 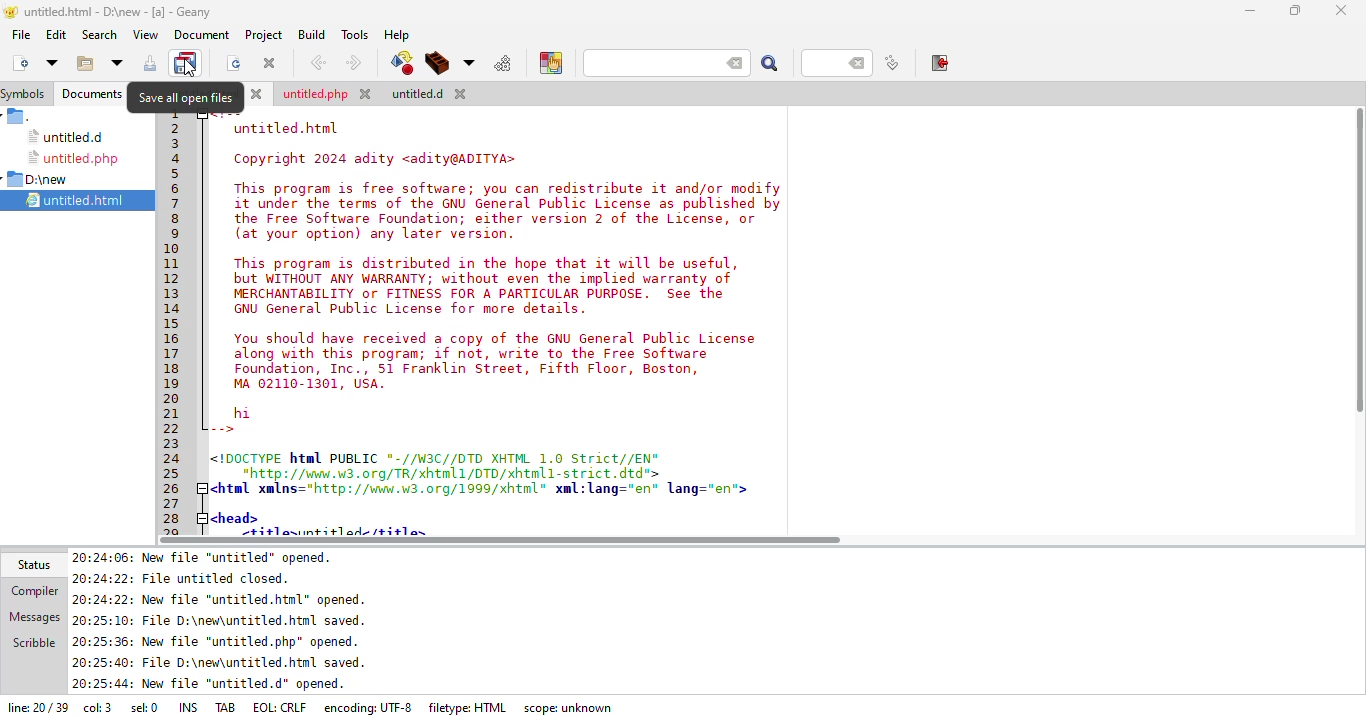 What do you see at coordinates (37, 564) in the screenshot?
I see `status` at bounding box center [37, 564].